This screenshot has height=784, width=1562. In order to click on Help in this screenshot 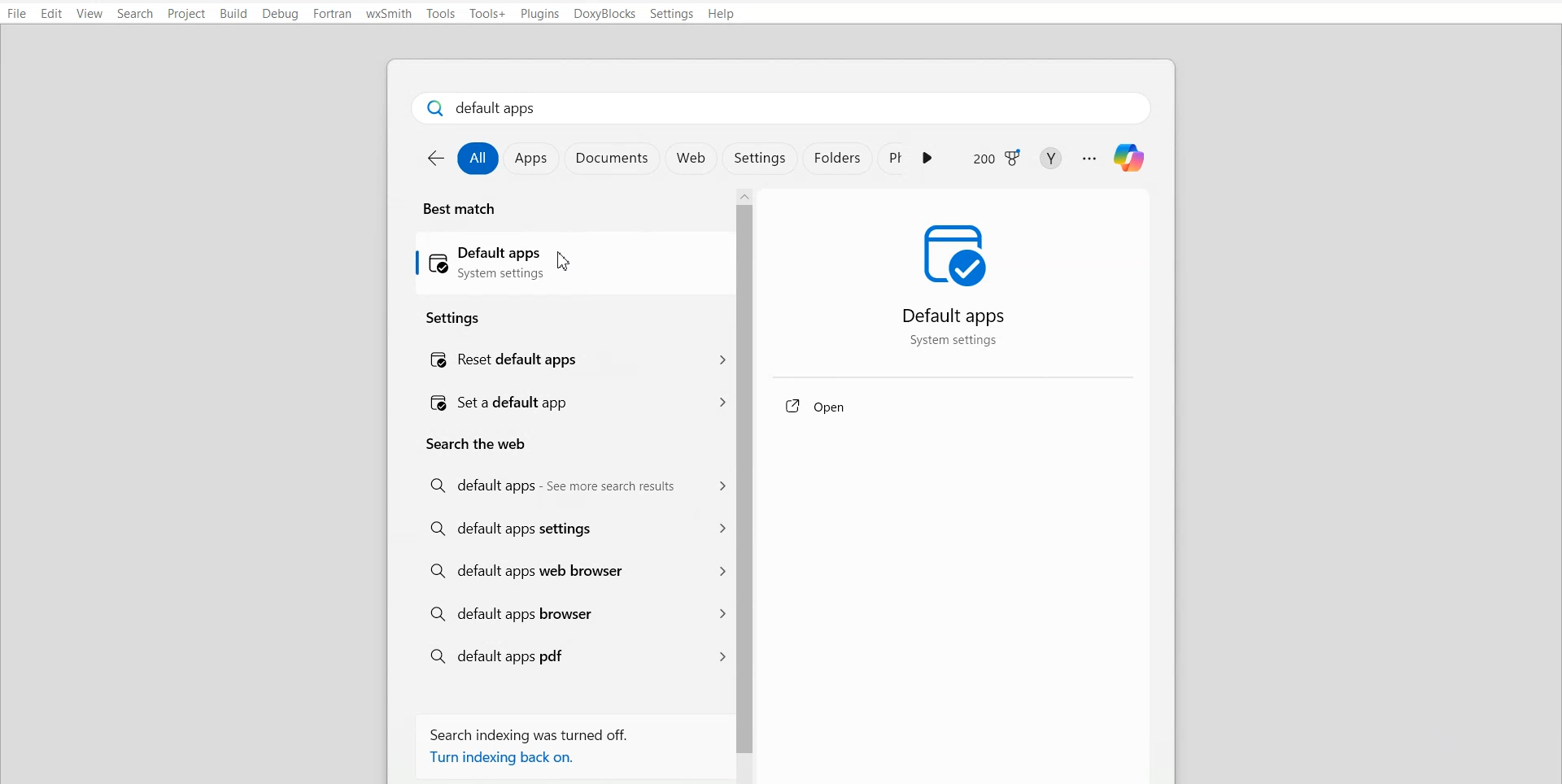, I will do `click(721, 15)`.